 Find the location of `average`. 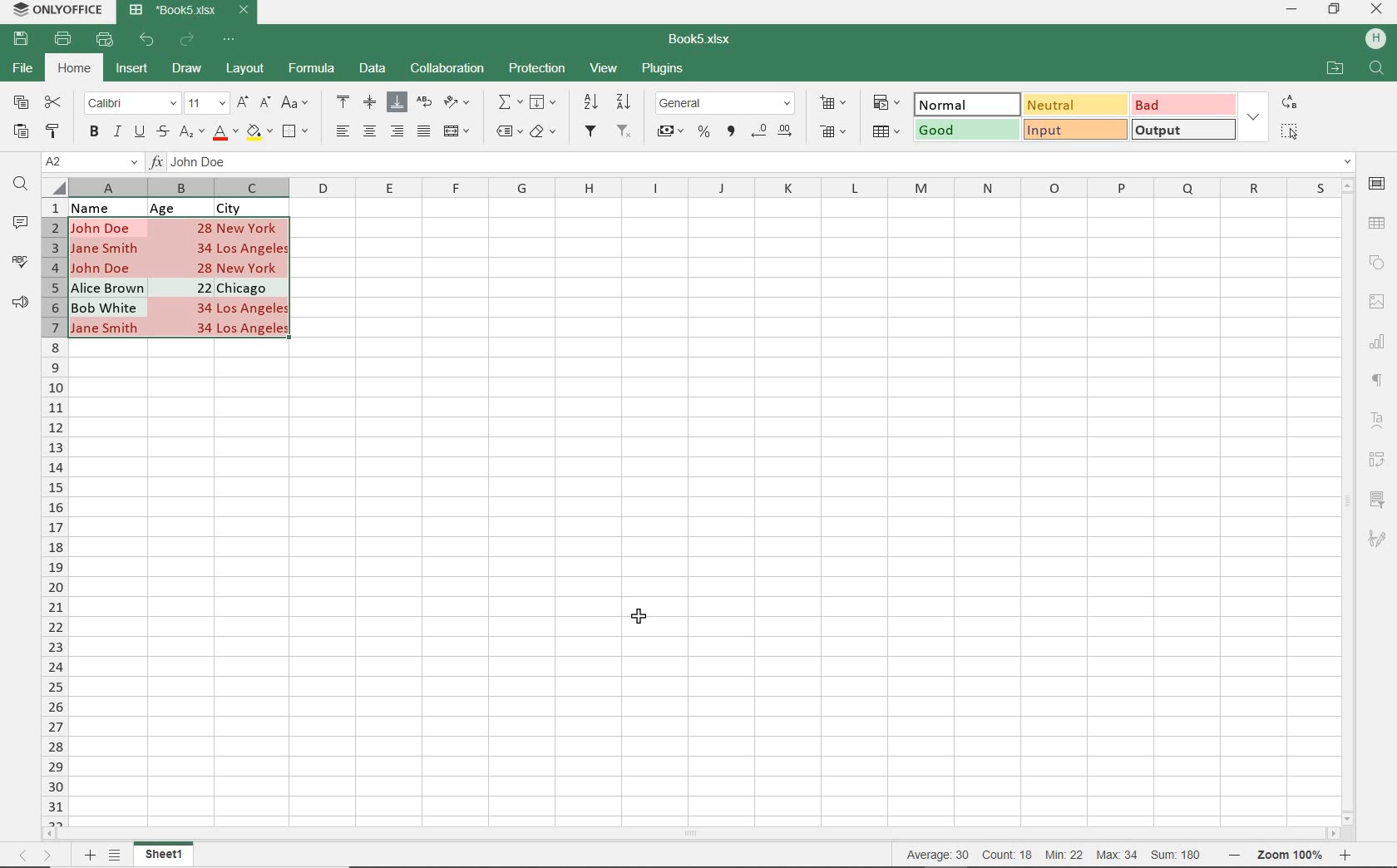

average is located at coordinates (940, 855).